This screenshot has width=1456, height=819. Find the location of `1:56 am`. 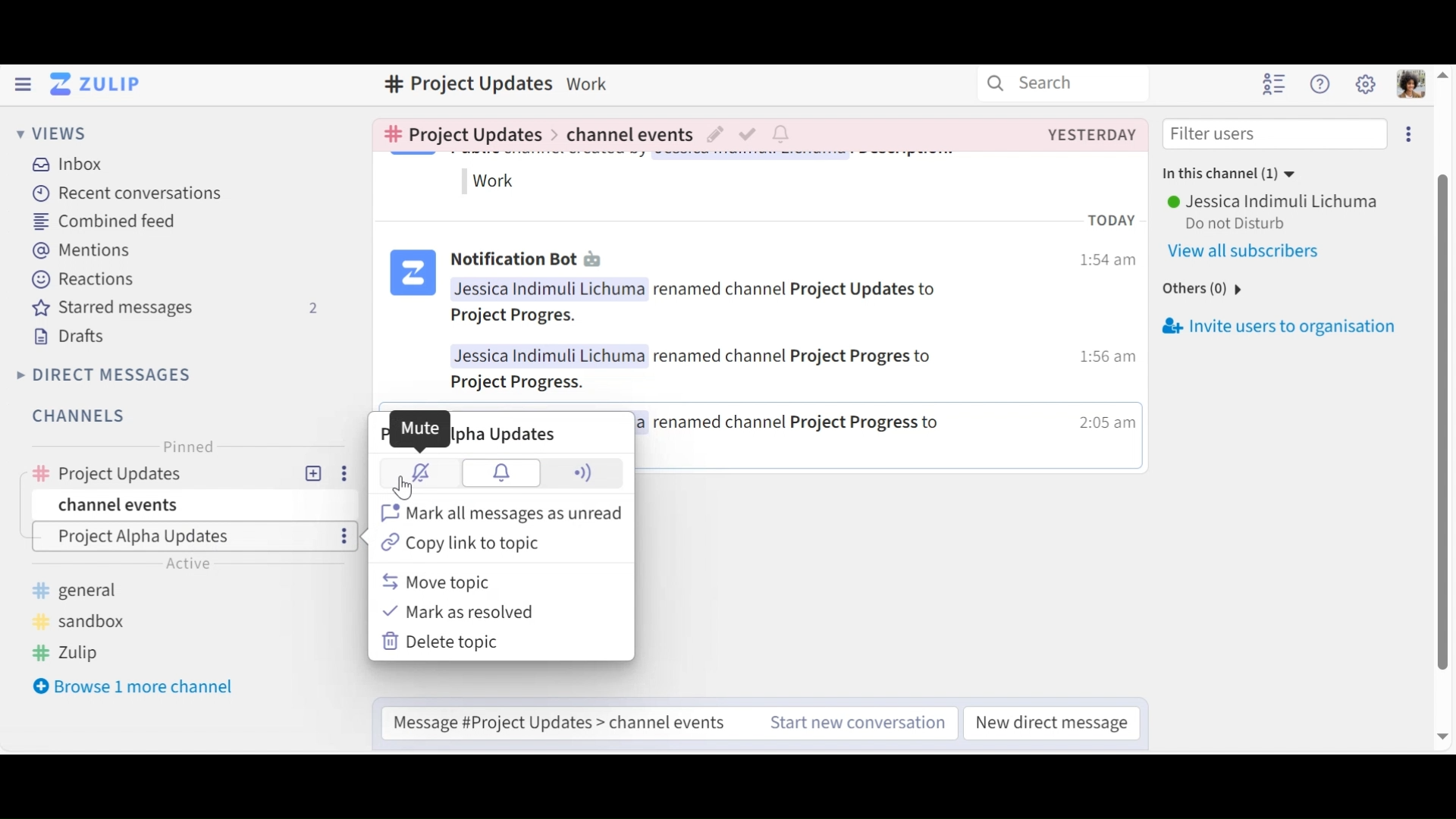

1:56 am is located at coordinates (1104, 359).